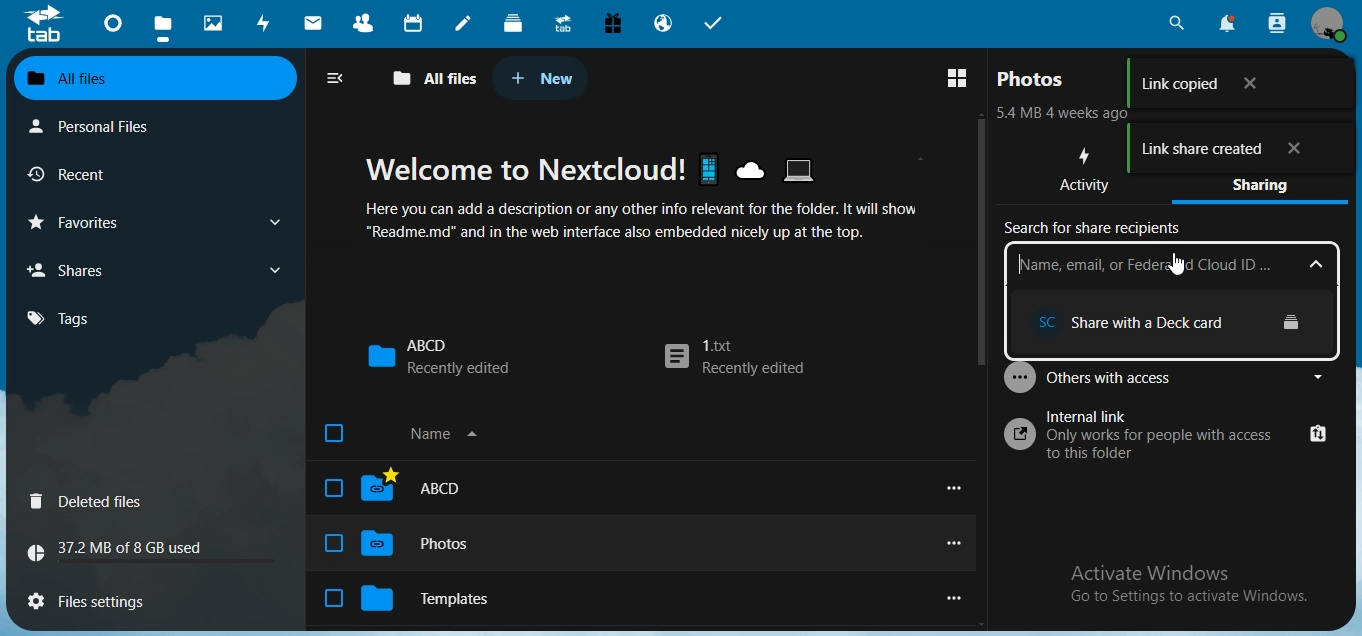 The height and width of the screenshot is (636, 1362). Describe the element at coordinates (334, 433) in the screenshot. I see `check box` at that location.